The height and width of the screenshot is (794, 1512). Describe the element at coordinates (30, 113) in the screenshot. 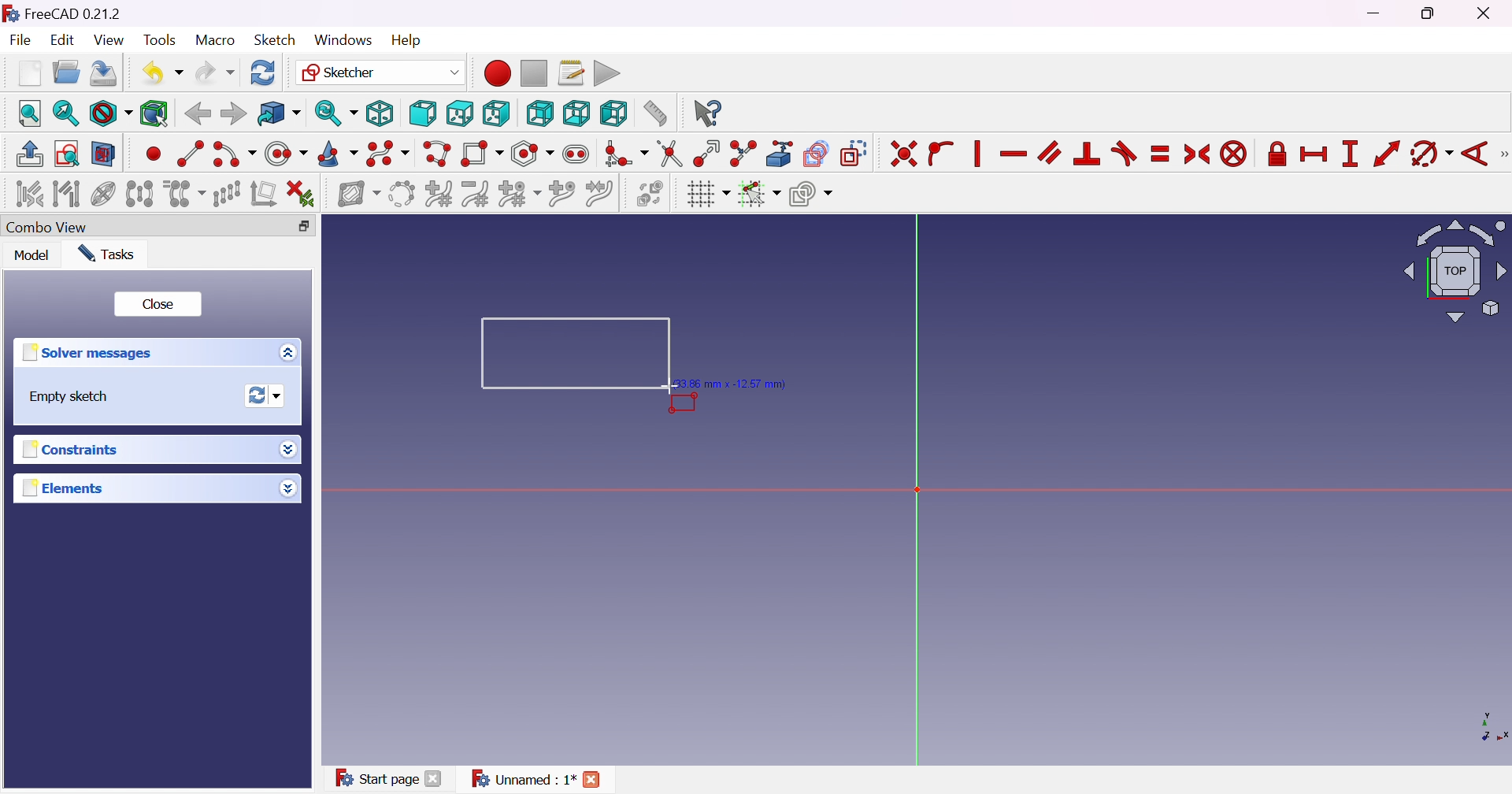

I see `Fit all` at that location.